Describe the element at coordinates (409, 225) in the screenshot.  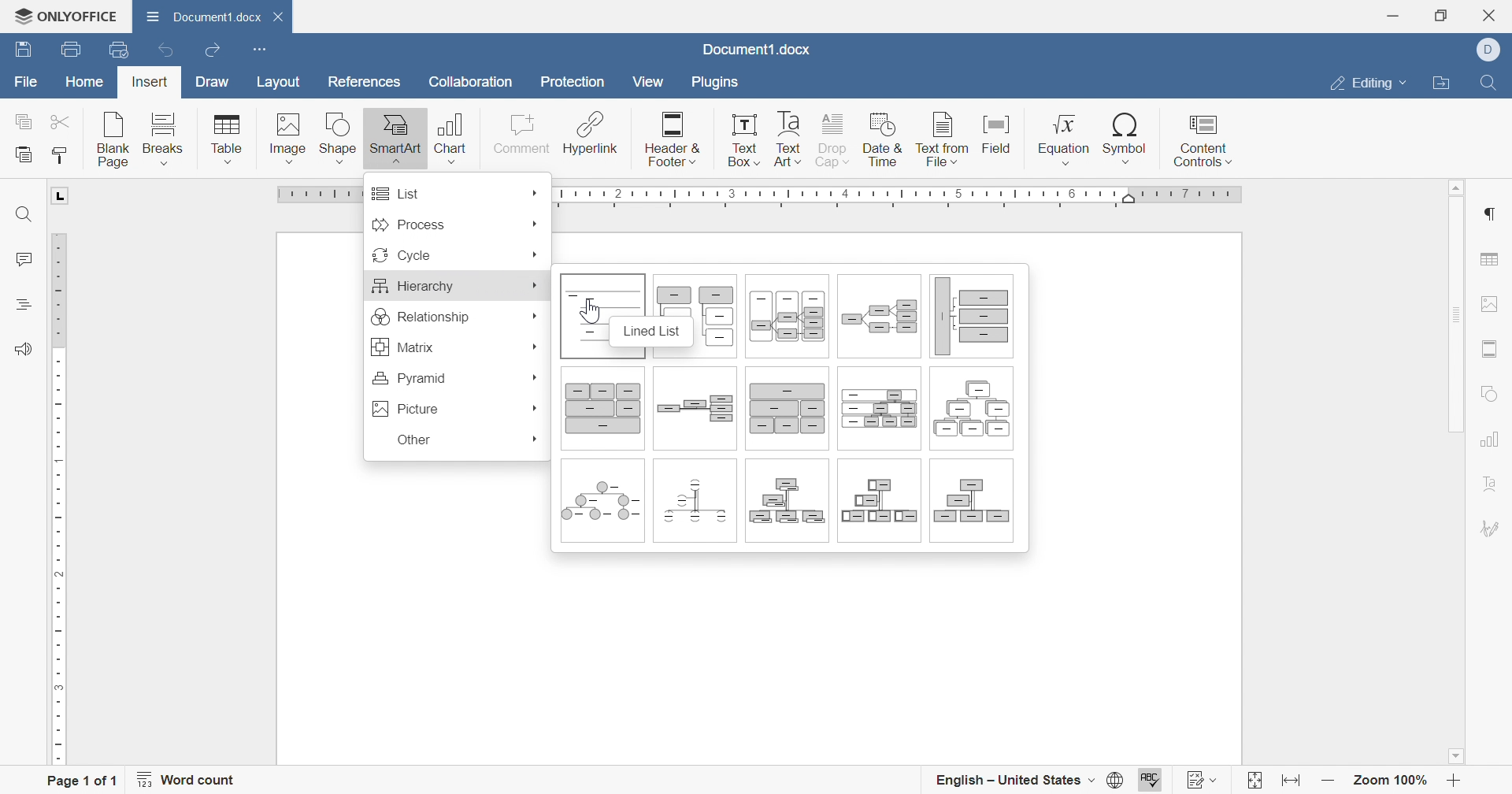
I see `Process` at that location.